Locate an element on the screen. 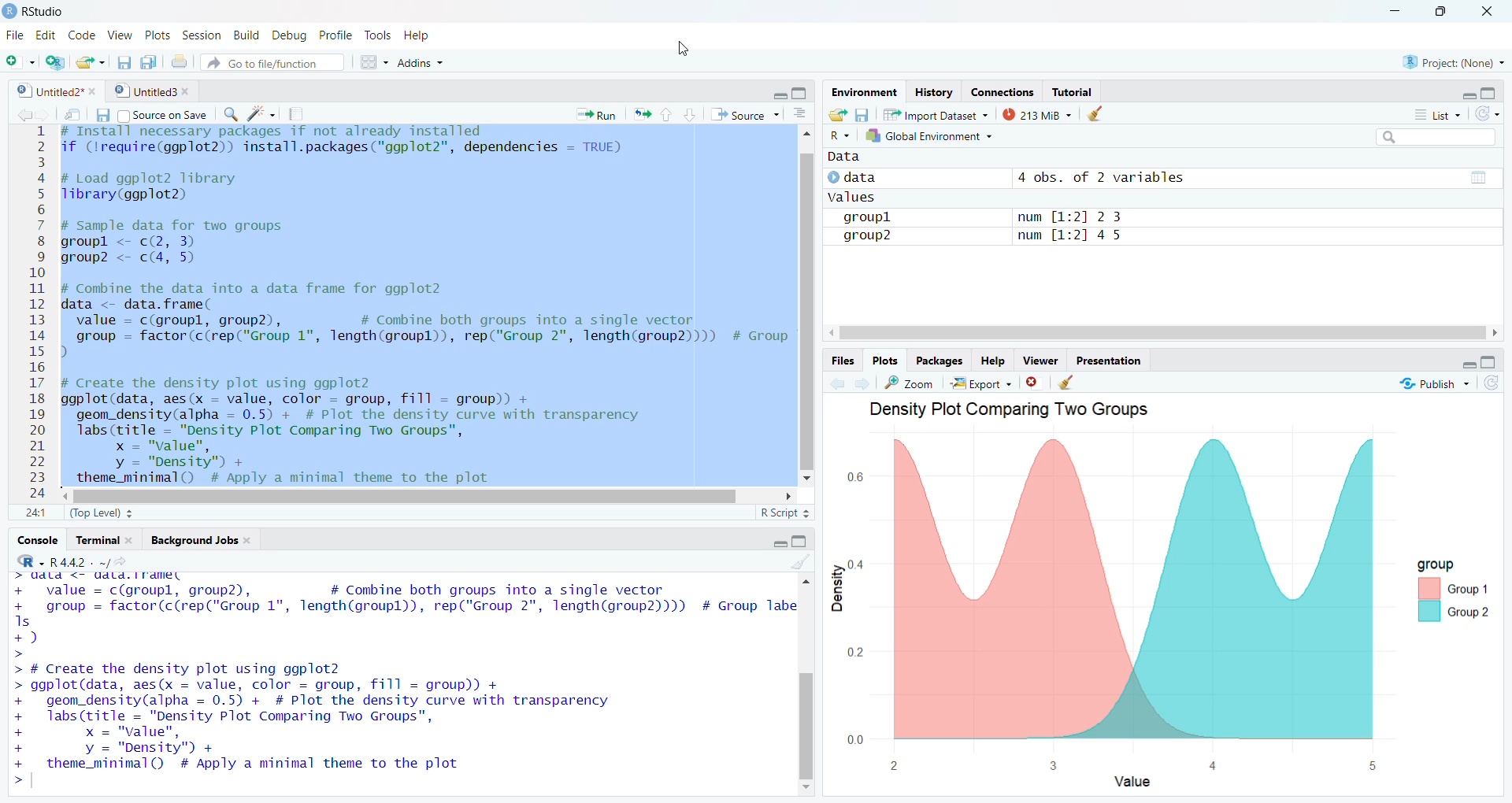 This screenshot has height=803, width=1512. viewer is located at coordinates (1039, 359).